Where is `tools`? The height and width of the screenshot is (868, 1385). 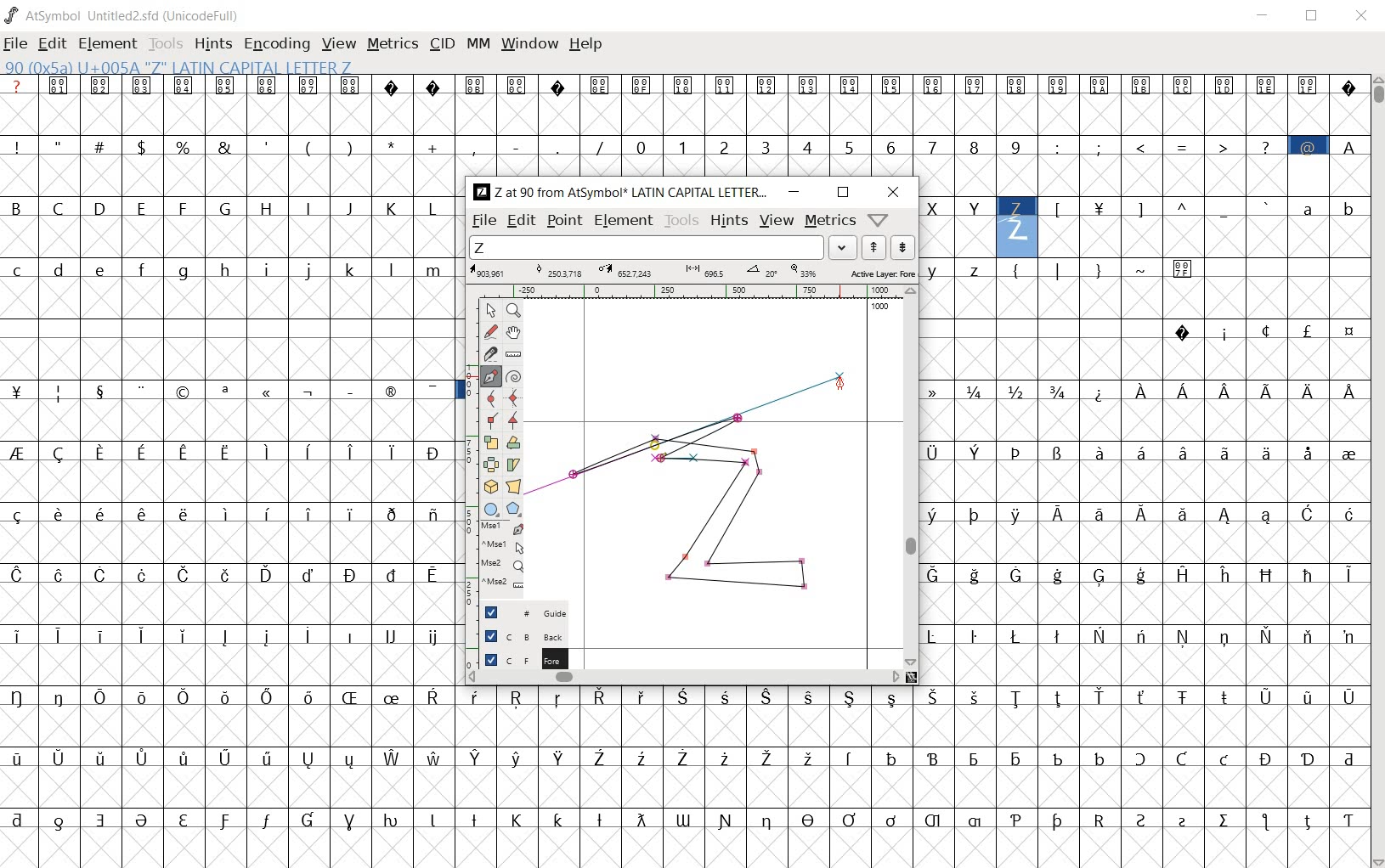
tools is located at coordinates (167, 42).